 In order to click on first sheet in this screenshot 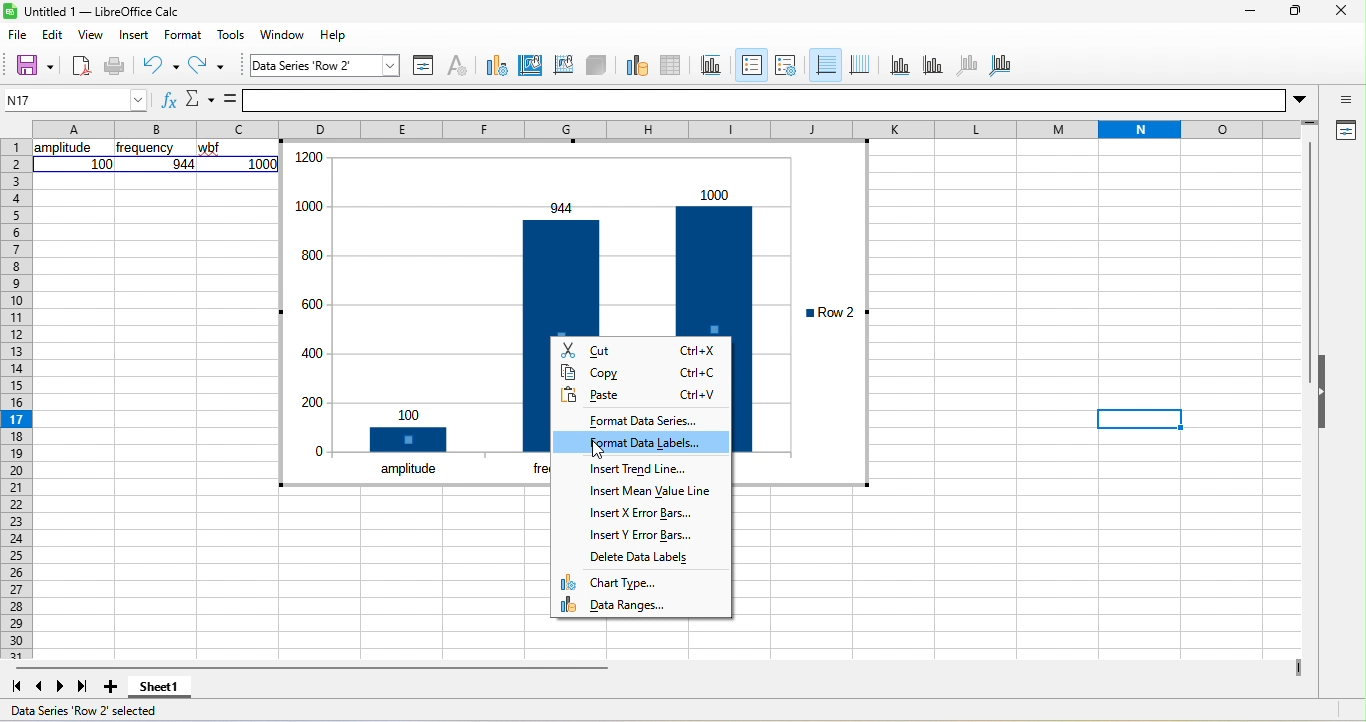, I will do `click(17, 687)`.